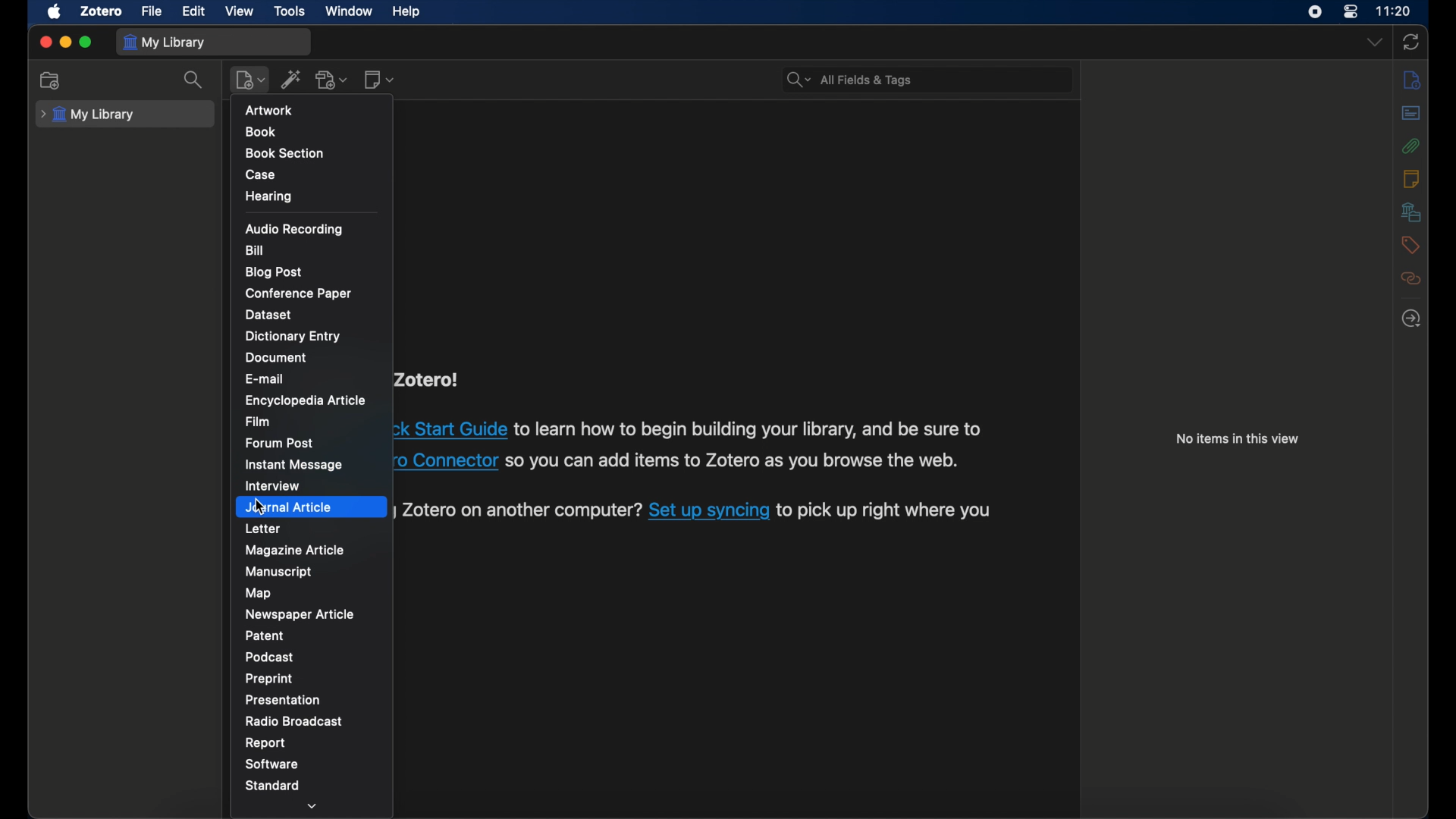 The height and width of the screenshot is (819, 1456). Describe the element at coordinates (265, 742) in the screenshot. I see `report` at that location.